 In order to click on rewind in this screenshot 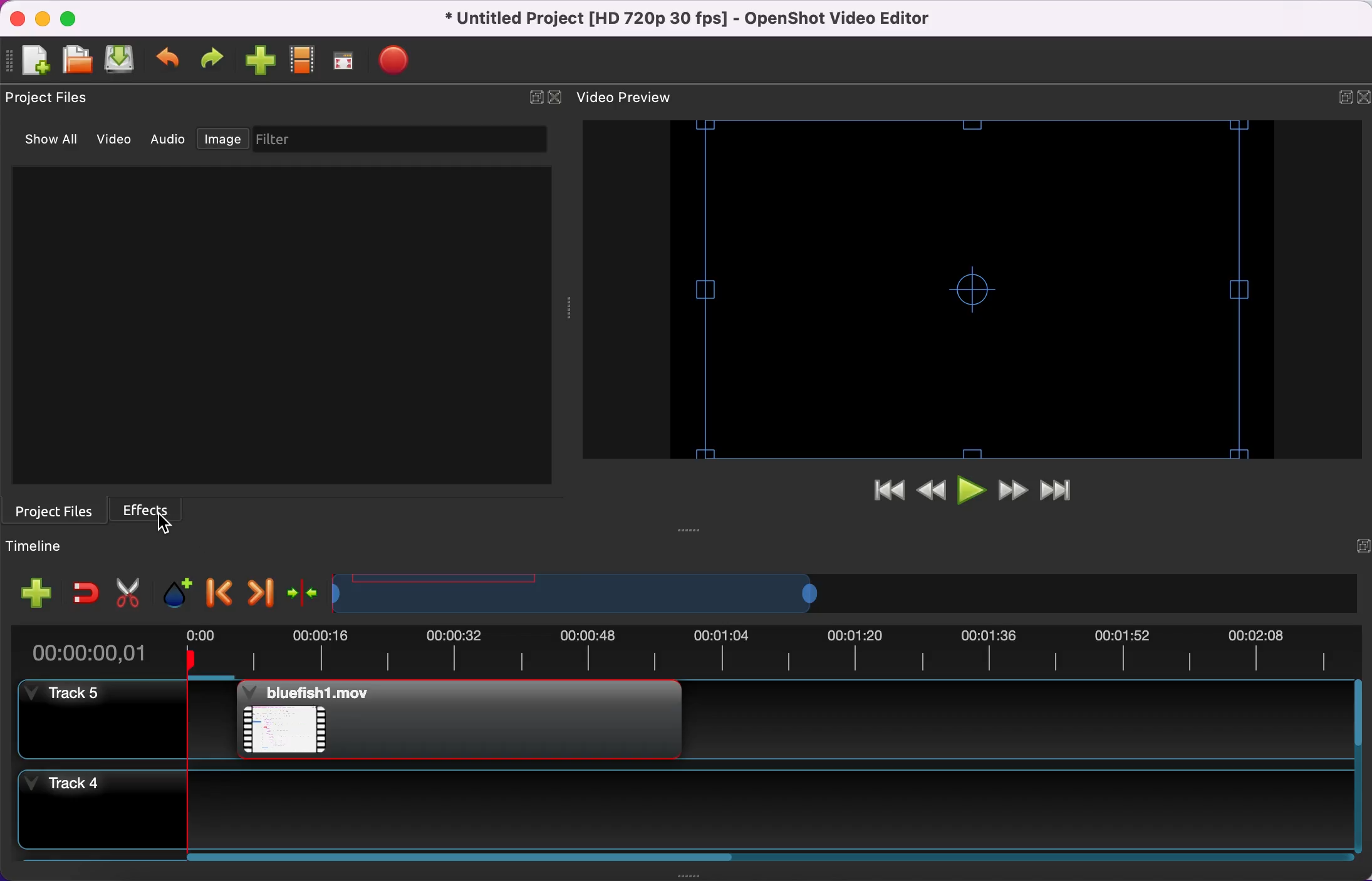, I will do `click(932, 491)`.